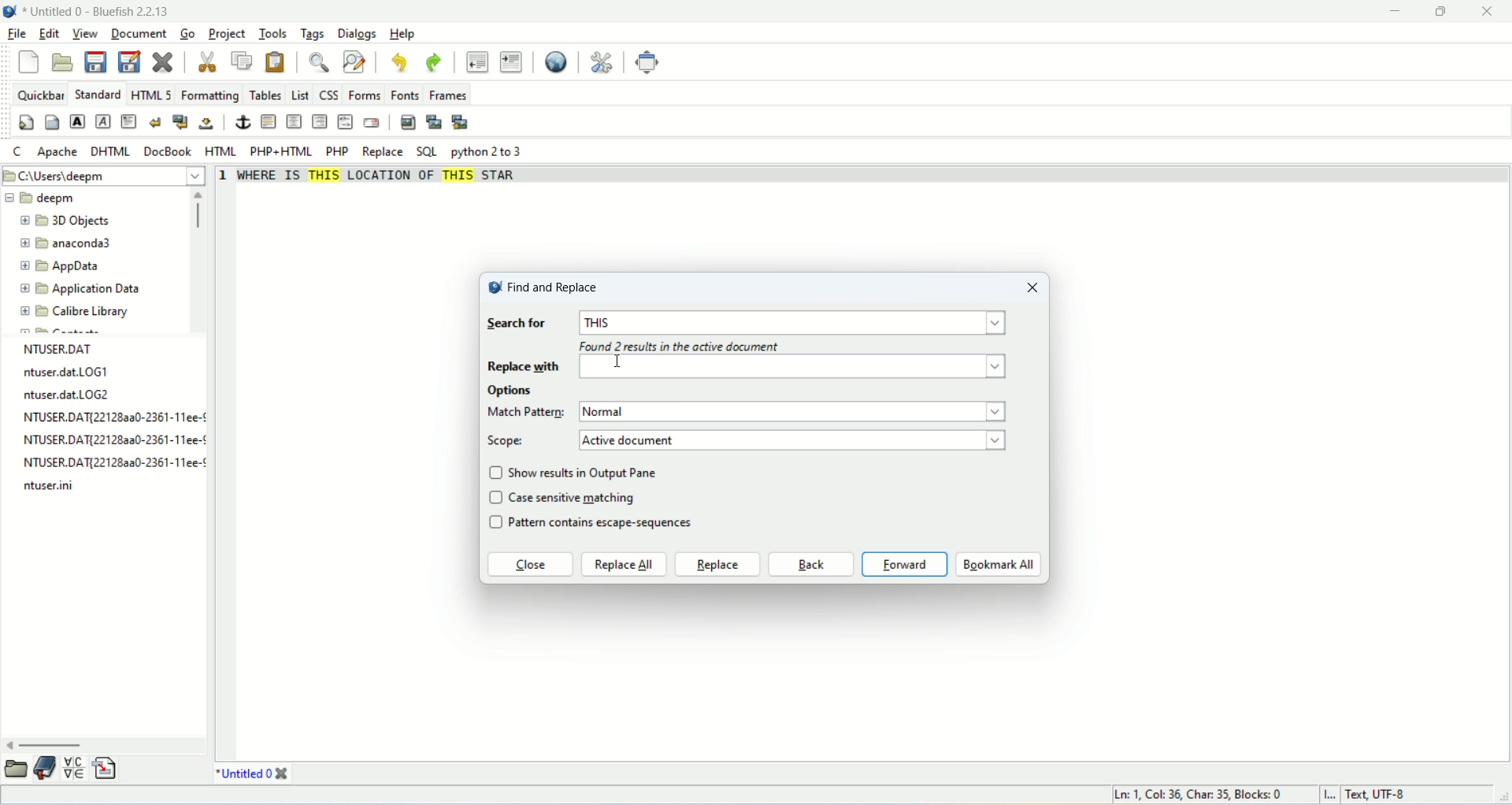  I want to click on bookmakrs, so click(46, 768).